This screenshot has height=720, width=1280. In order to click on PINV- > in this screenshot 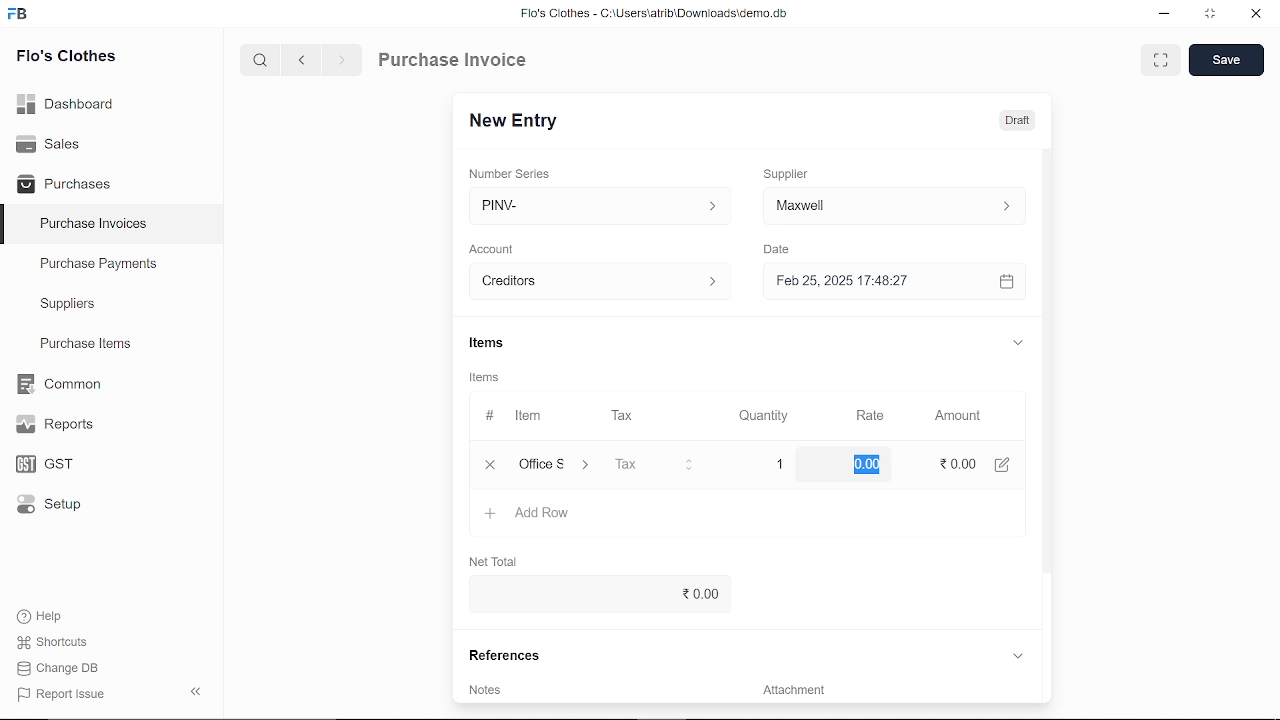, I will do `click(593, 206)`.